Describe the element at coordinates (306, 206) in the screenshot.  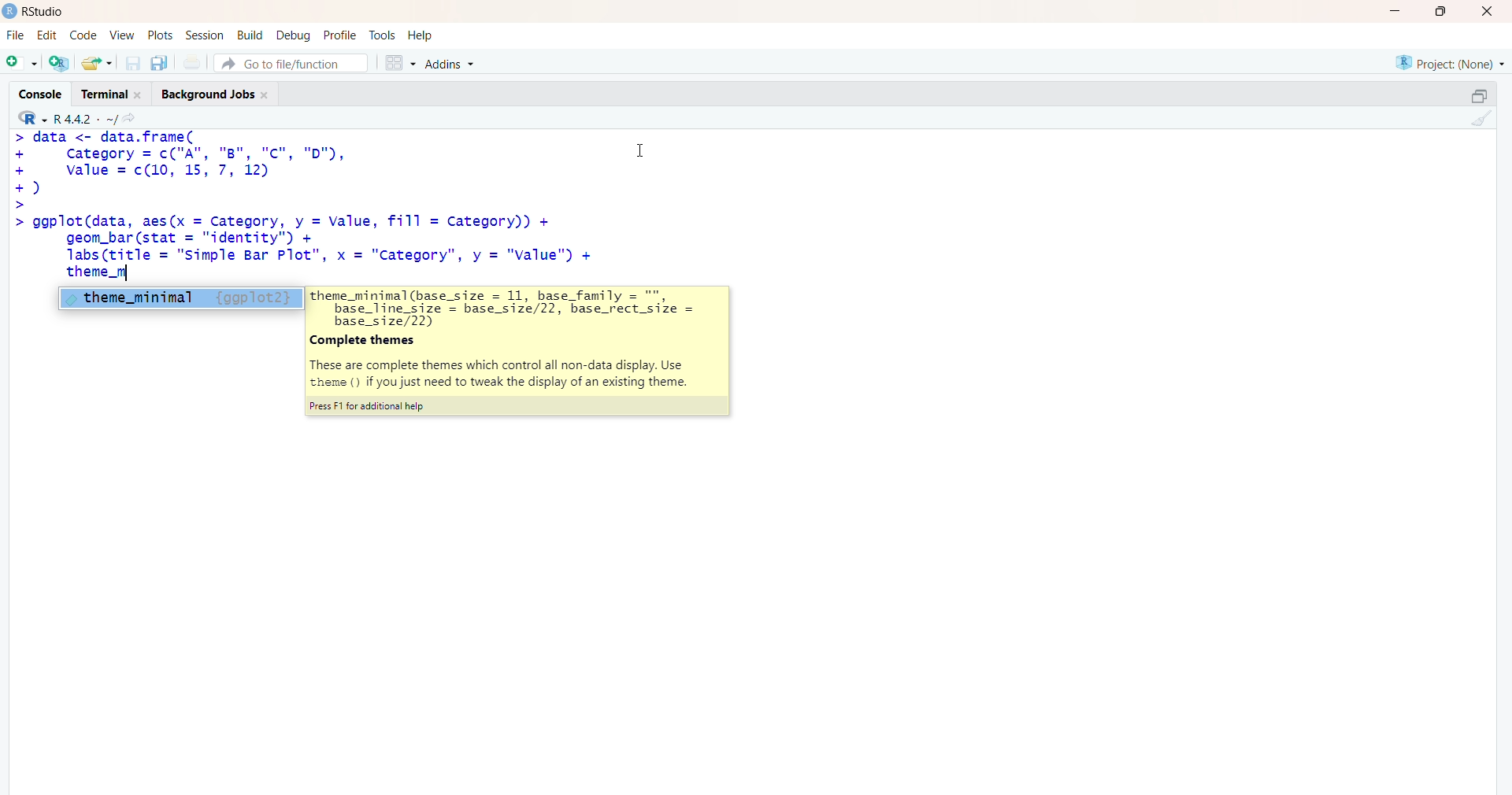
I see `code - > data <- data.frame(+ category = c("A", "B", "Cc", "D"),+ value = c(10 12)© asic>> ggplot(data, aes(x = Category, y = Value, fill = category))` at that location.